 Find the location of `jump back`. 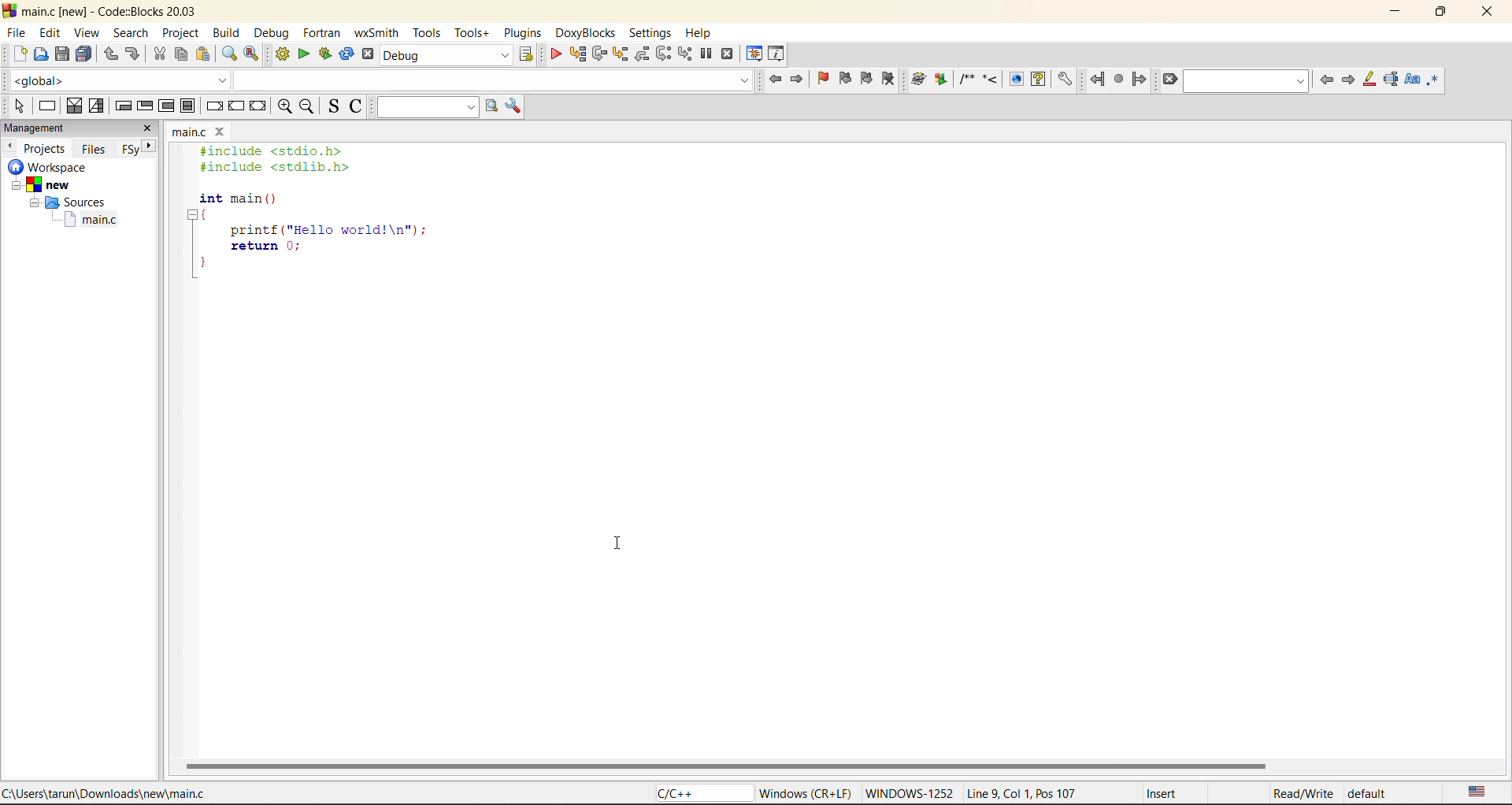

jump back is located at coordinates (1097, 80).